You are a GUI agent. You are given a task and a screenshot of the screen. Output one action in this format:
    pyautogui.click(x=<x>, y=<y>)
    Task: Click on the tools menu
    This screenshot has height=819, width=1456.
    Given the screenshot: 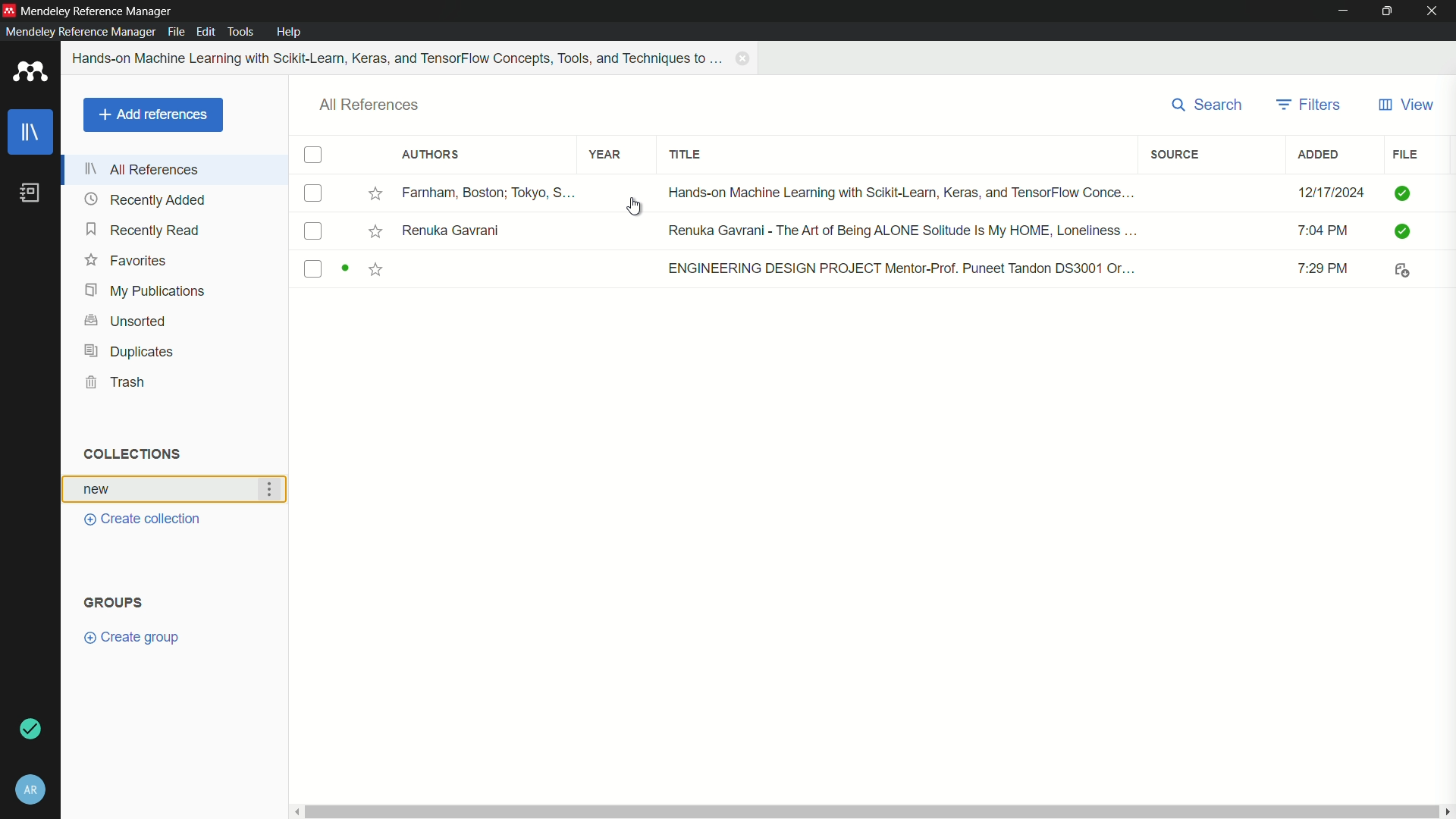 What is the action you would take?
    pyautogui.click(x=240, y=33)
    